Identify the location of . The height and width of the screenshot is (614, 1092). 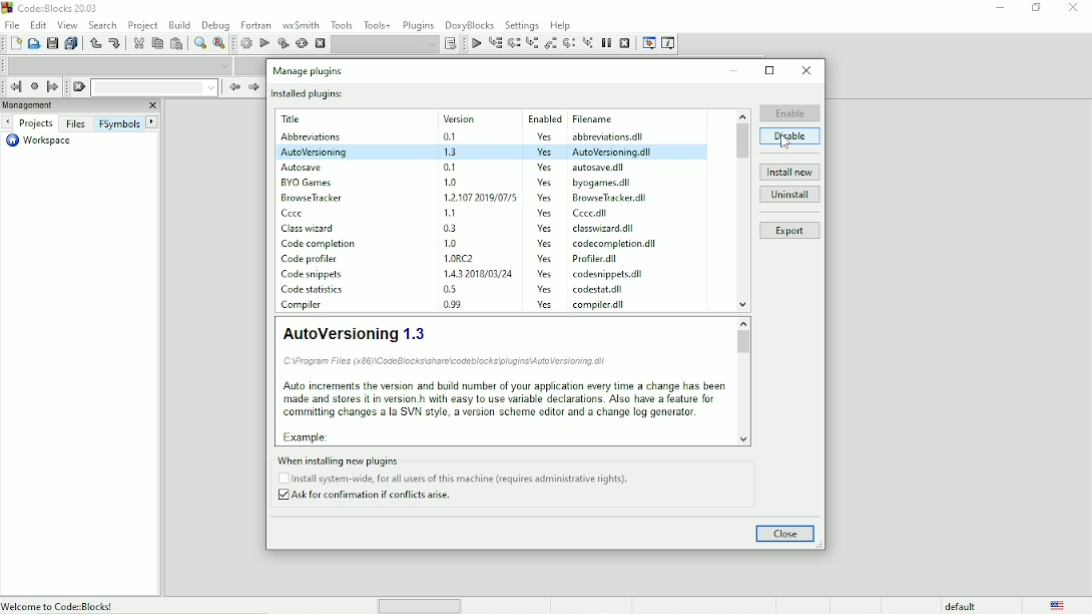
(494, 43).